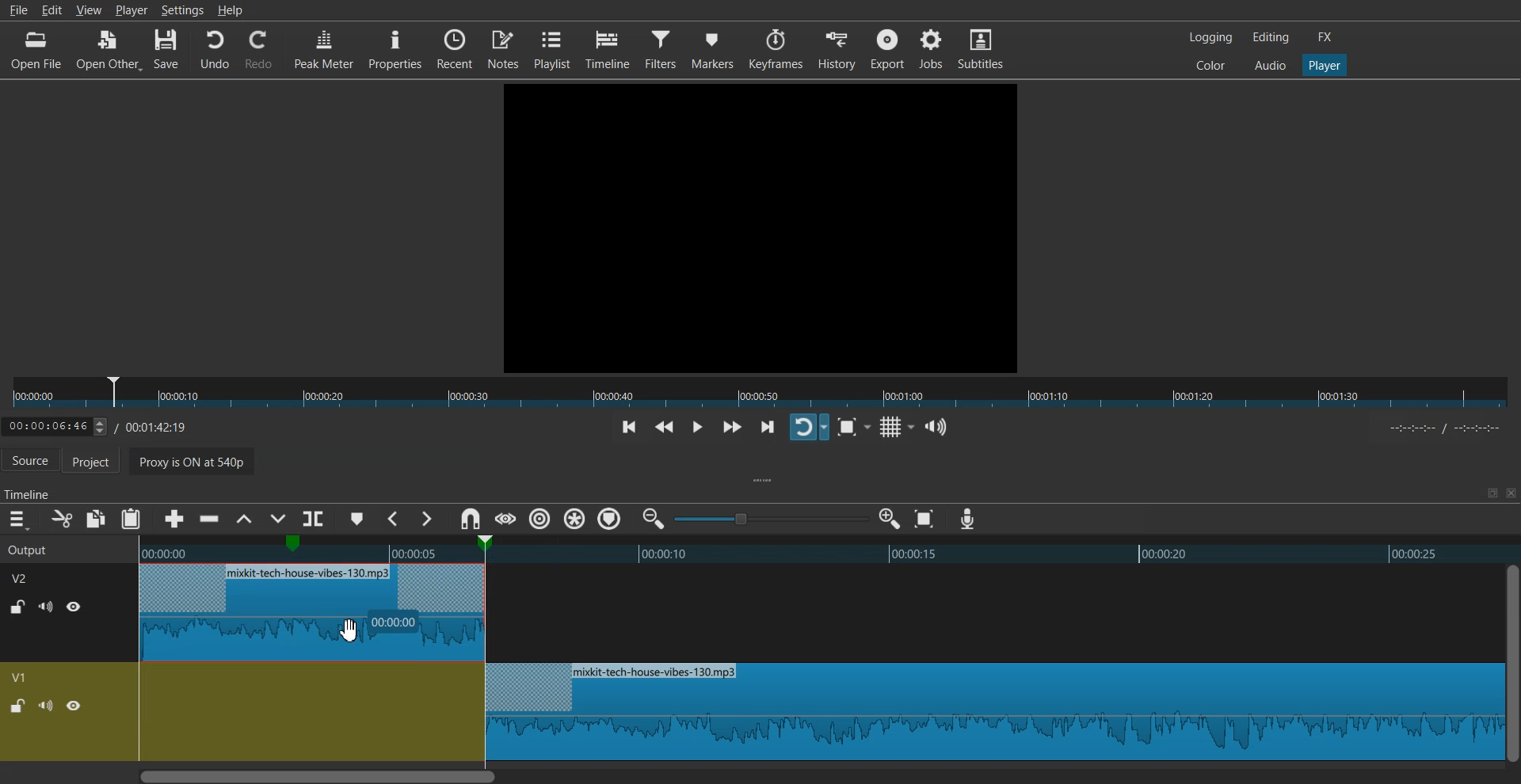 This screenshot has height=784, width=1521. Describe the element at coordinates (1492, 493) in the screenshot. I see `Maximize` at that location.